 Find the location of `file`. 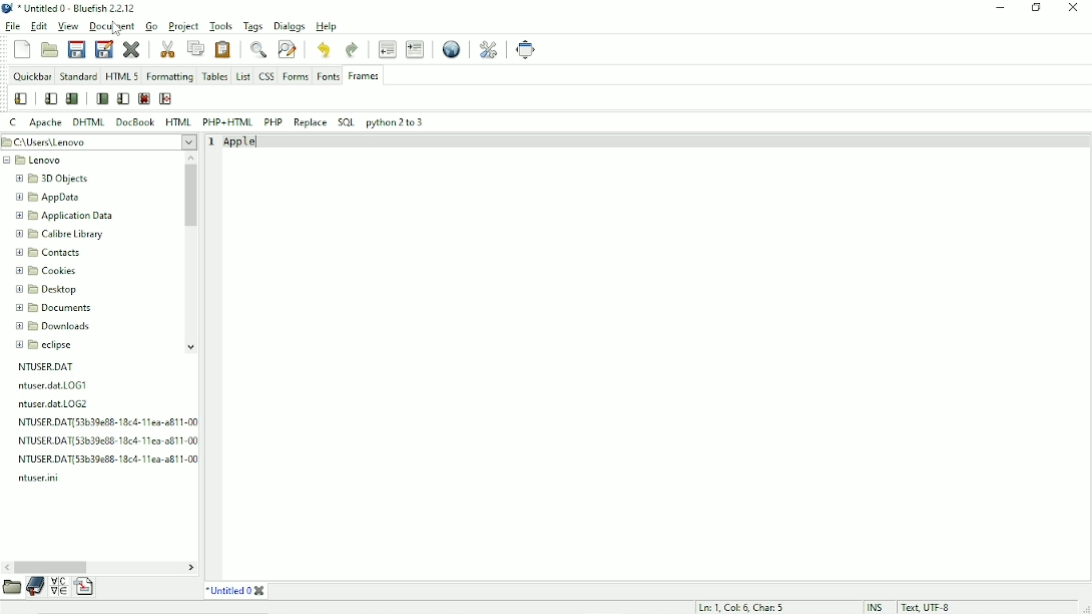

file is located at coordinates (107, 459).